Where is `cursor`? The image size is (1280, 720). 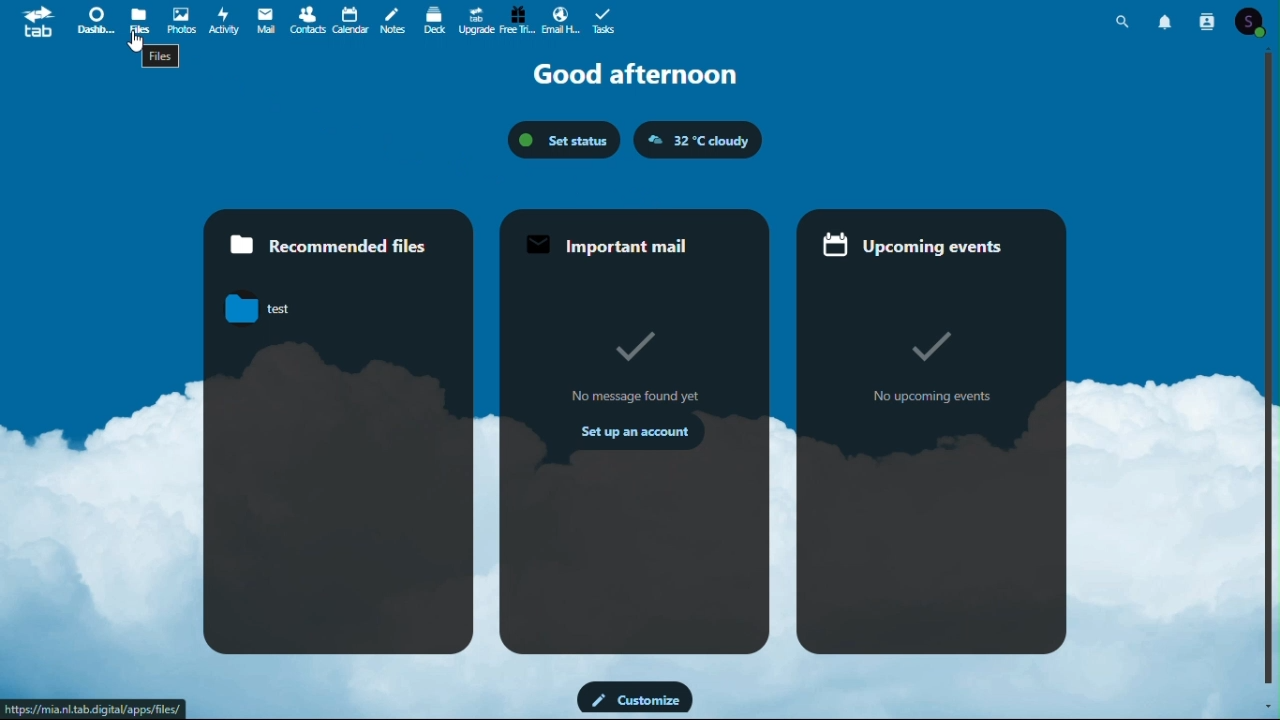
cursor is located at coordinates (138, 42).